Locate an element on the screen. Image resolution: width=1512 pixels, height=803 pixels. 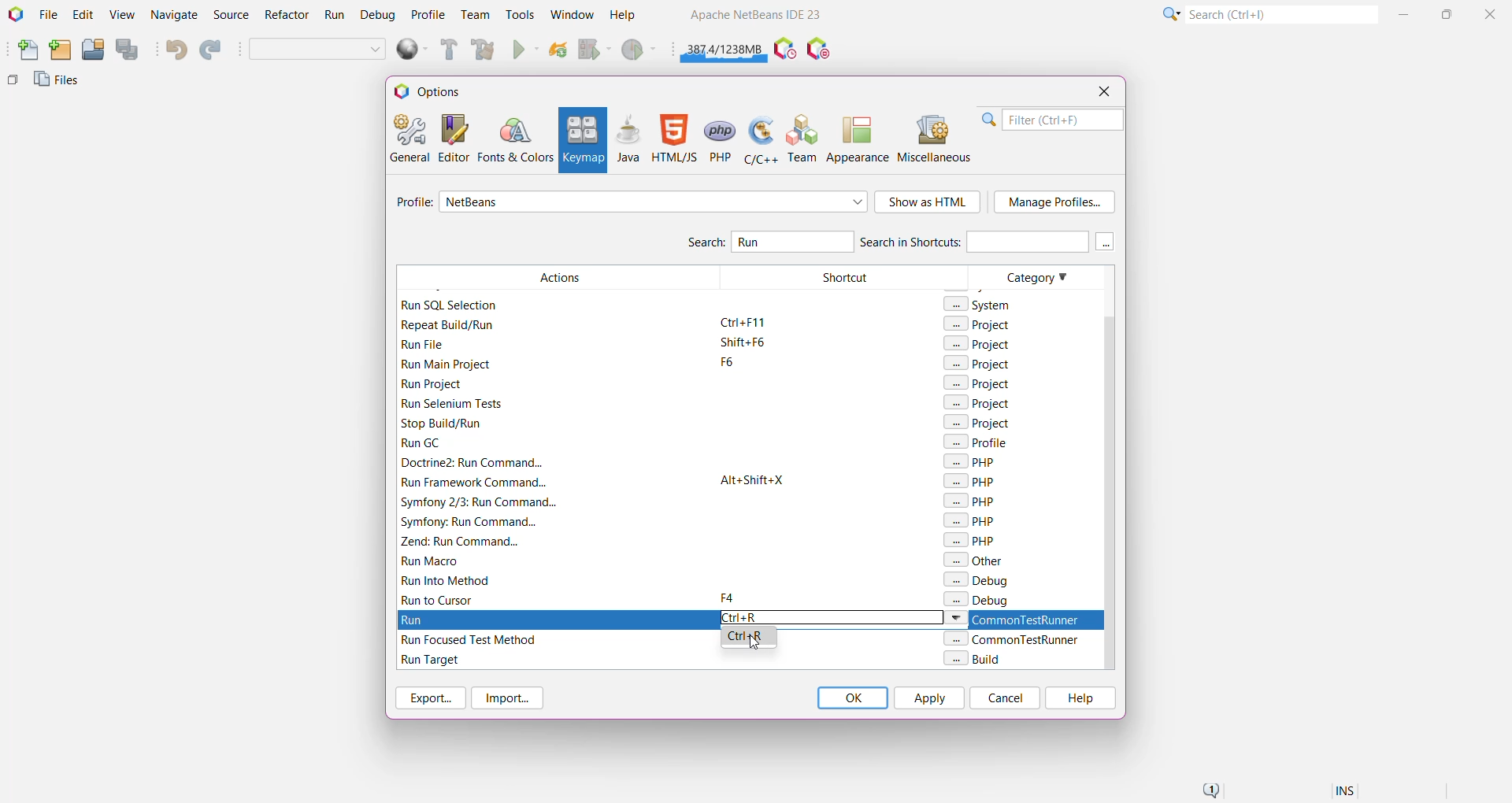
Edit is located at coordinates (83, 16).